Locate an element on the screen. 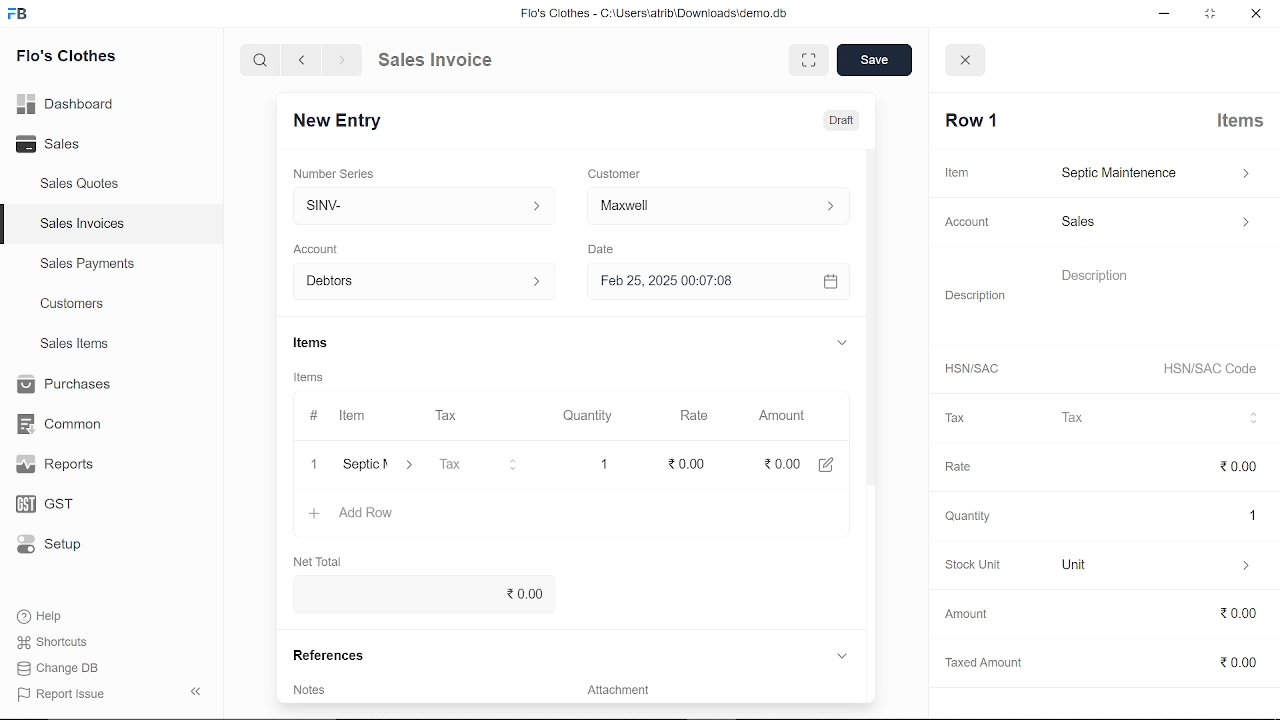 The height and width of the screenshot is (720, 1280). ‘Amount. is located at coordinates (966, 614).